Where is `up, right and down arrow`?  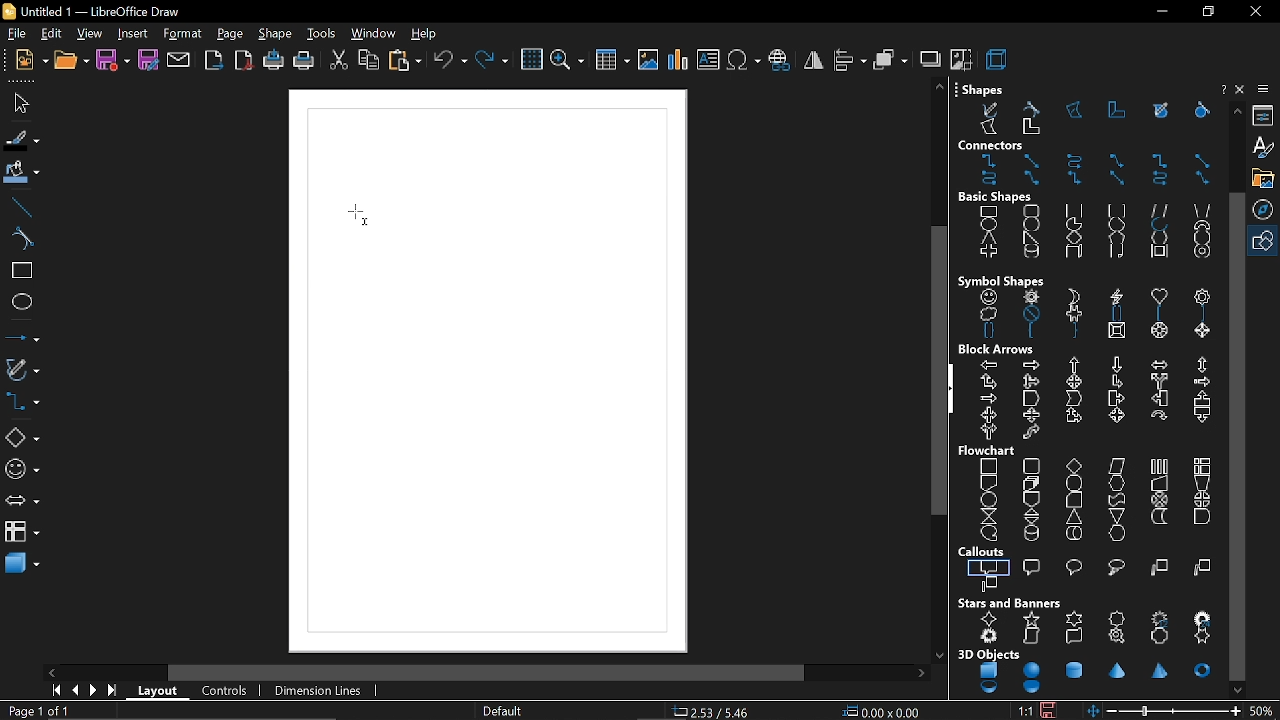
up, right and down arrow is located at coordinates (1030, 381).